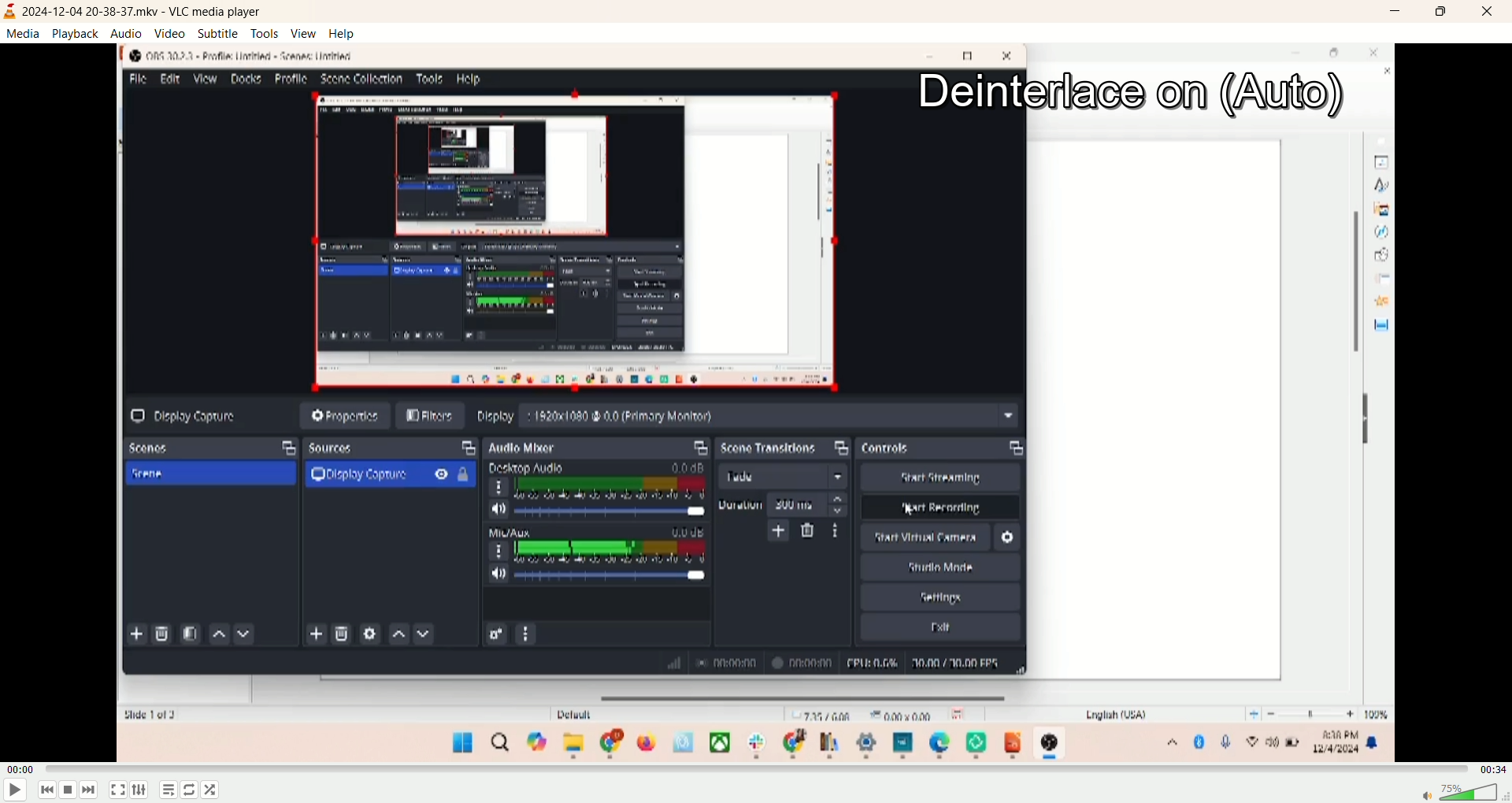 This screenshot has height=803, width=1512. Describe the element at coordinates (303, 33) in the screenshot. I see `view` at that location.